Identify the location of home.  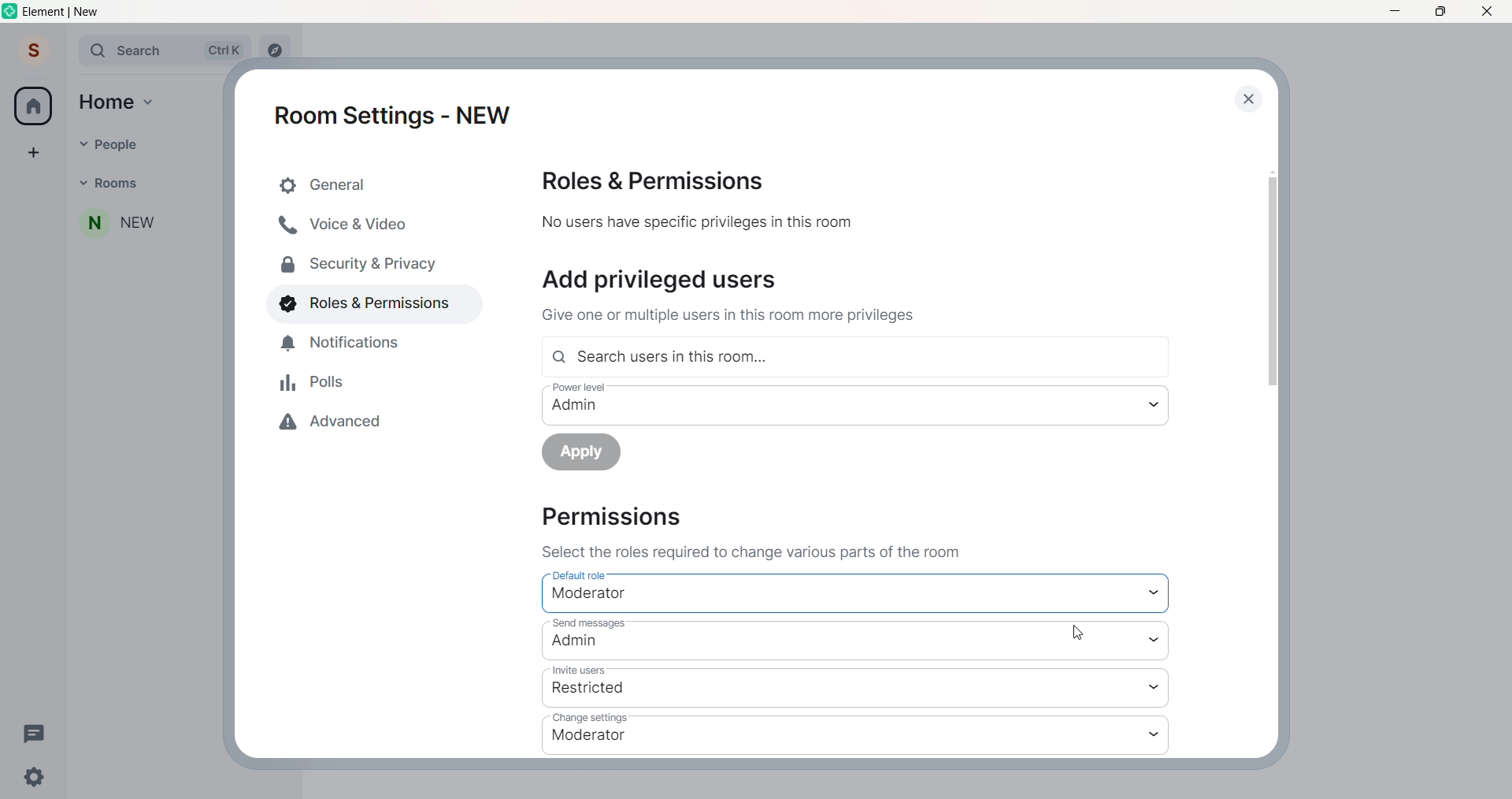
(34, 105).